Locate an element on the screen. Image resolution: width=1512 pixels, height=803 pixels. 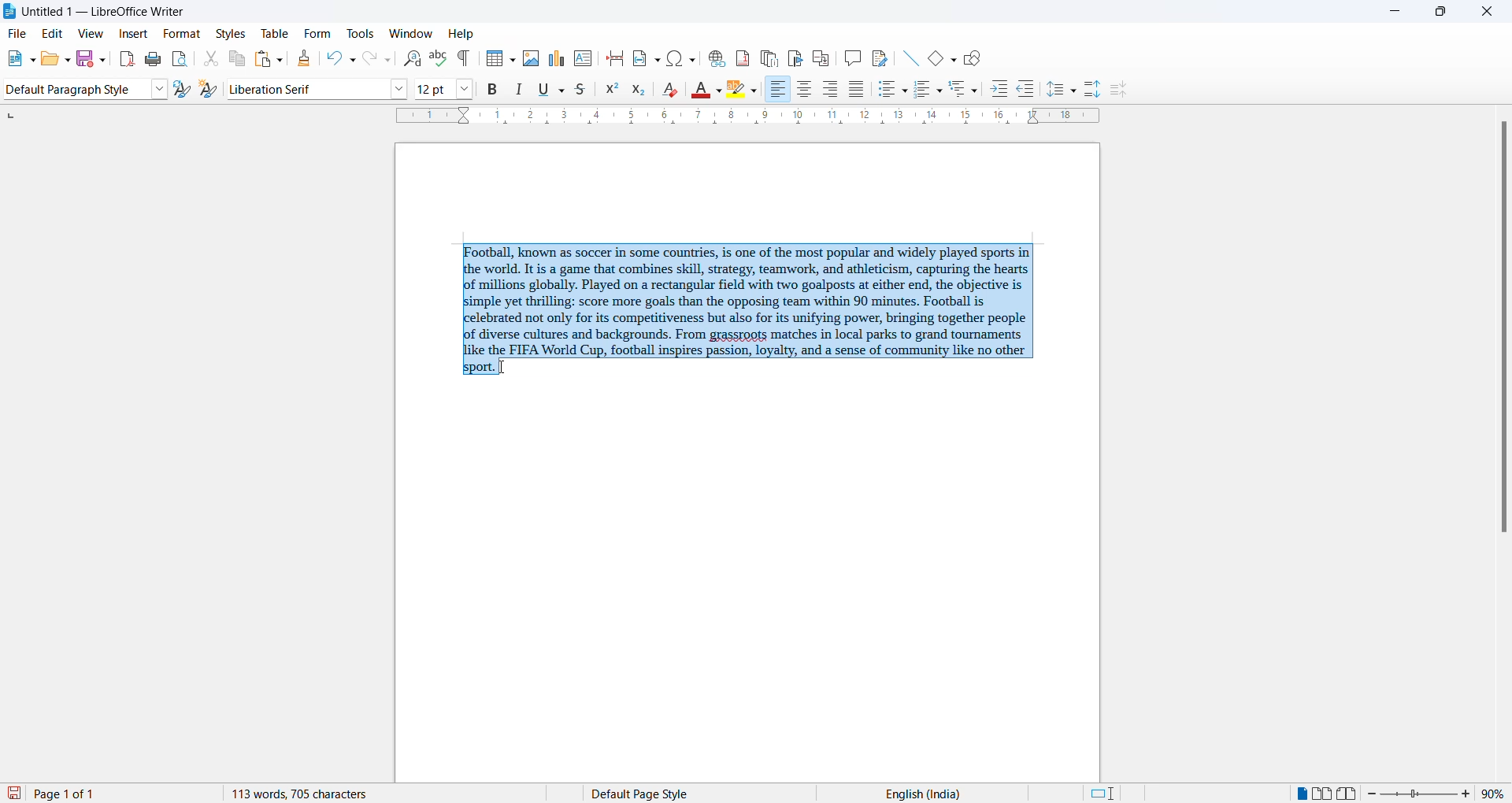
paste options is located at coordinates (282, 58).